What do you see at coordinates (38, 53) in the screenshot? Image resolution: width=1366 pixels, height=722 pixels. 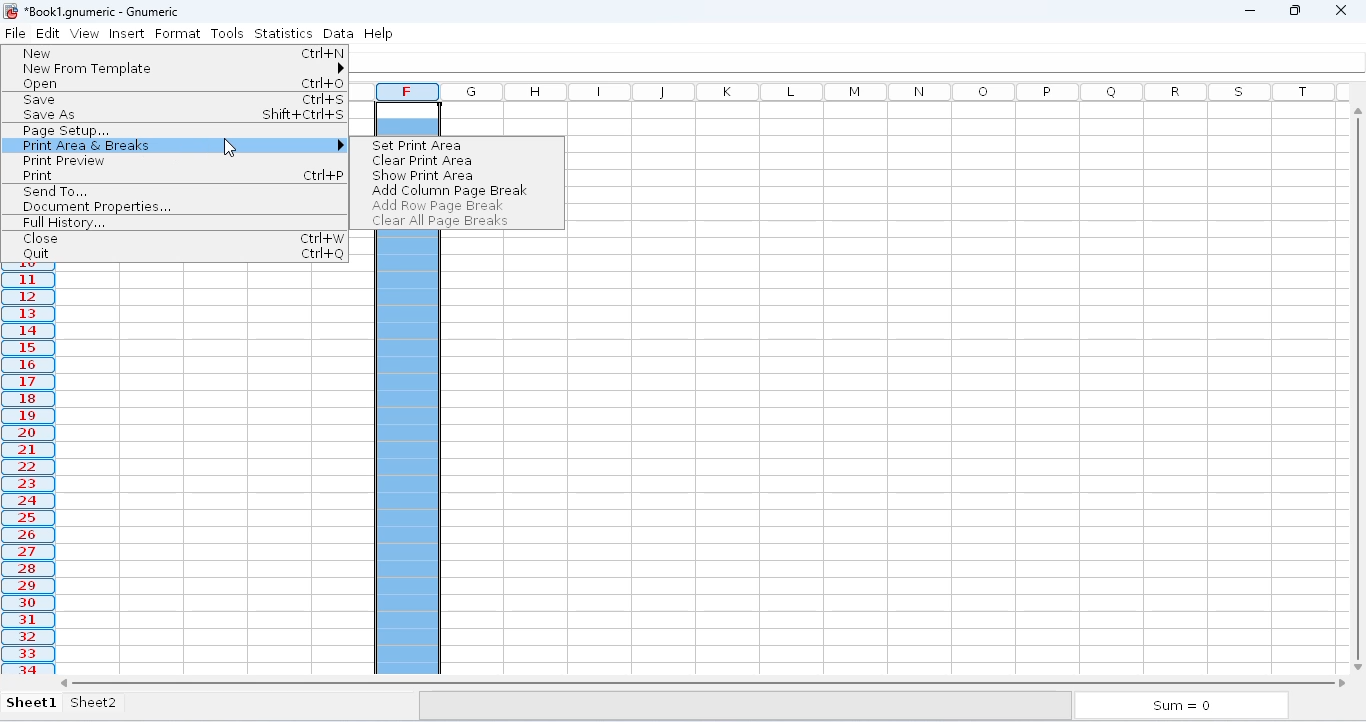 I see `new` at bounding box center [38, 53].